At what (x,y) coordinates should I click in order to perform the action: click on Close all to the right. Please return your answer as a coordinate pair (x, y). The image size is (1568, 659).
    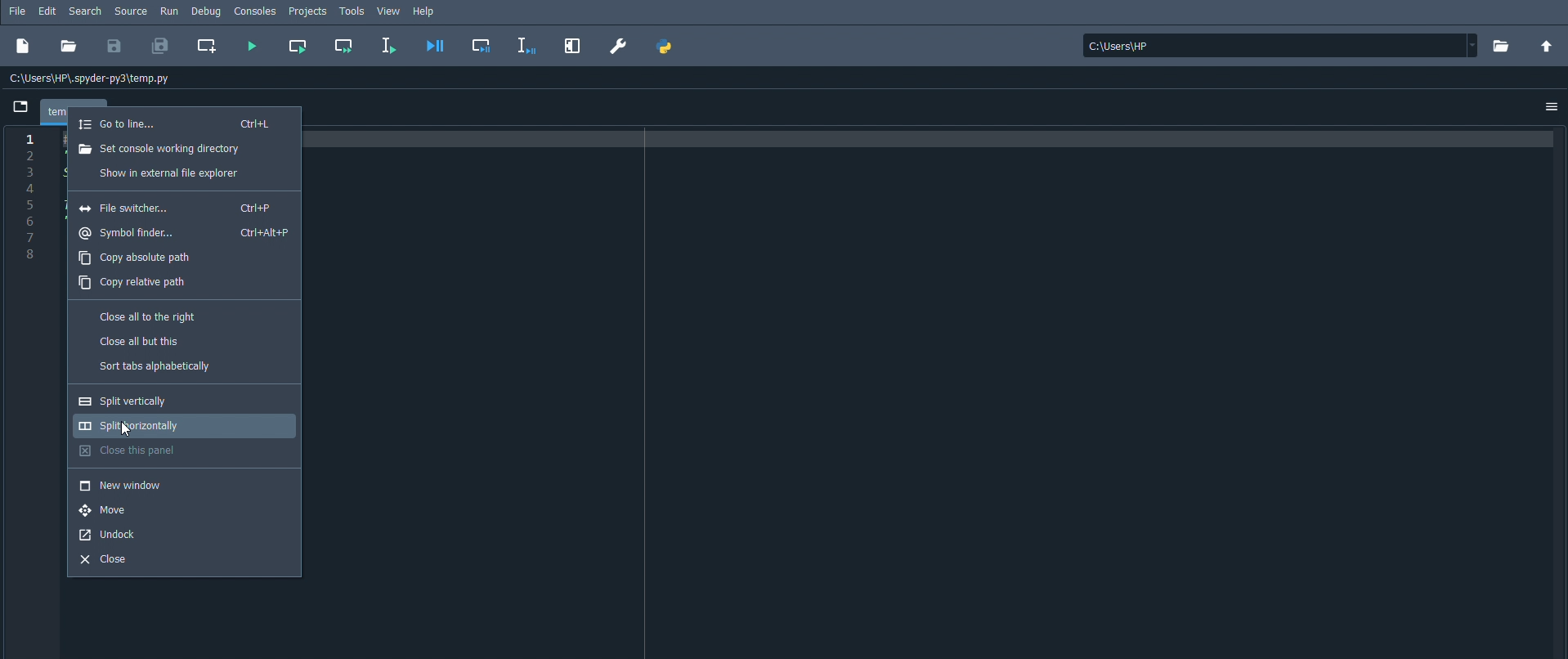
    Looking at the image, I should click on (149, 318).